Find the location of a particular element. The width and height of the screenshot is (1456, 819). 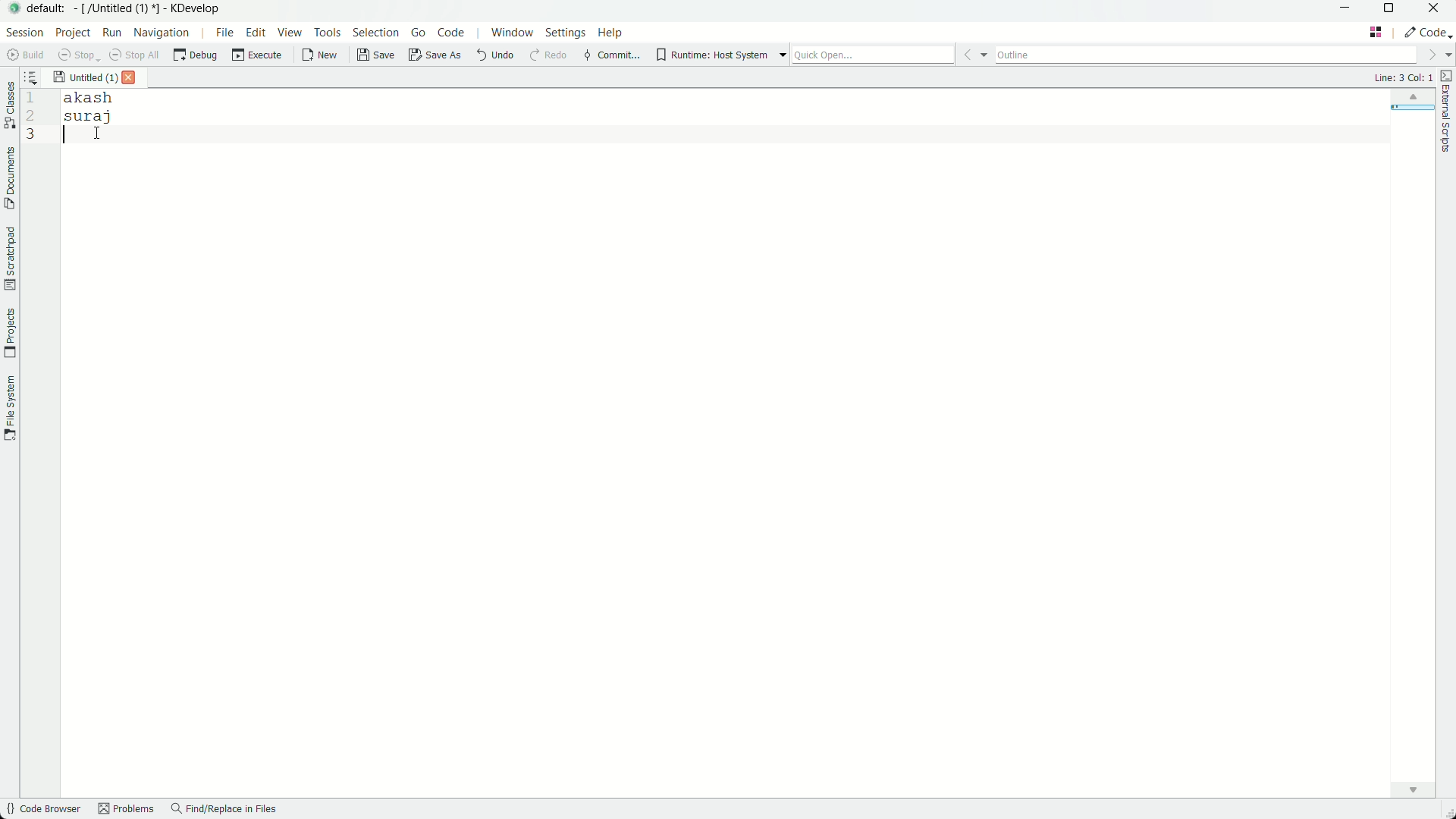

close file is located at coordinates (130, 78).